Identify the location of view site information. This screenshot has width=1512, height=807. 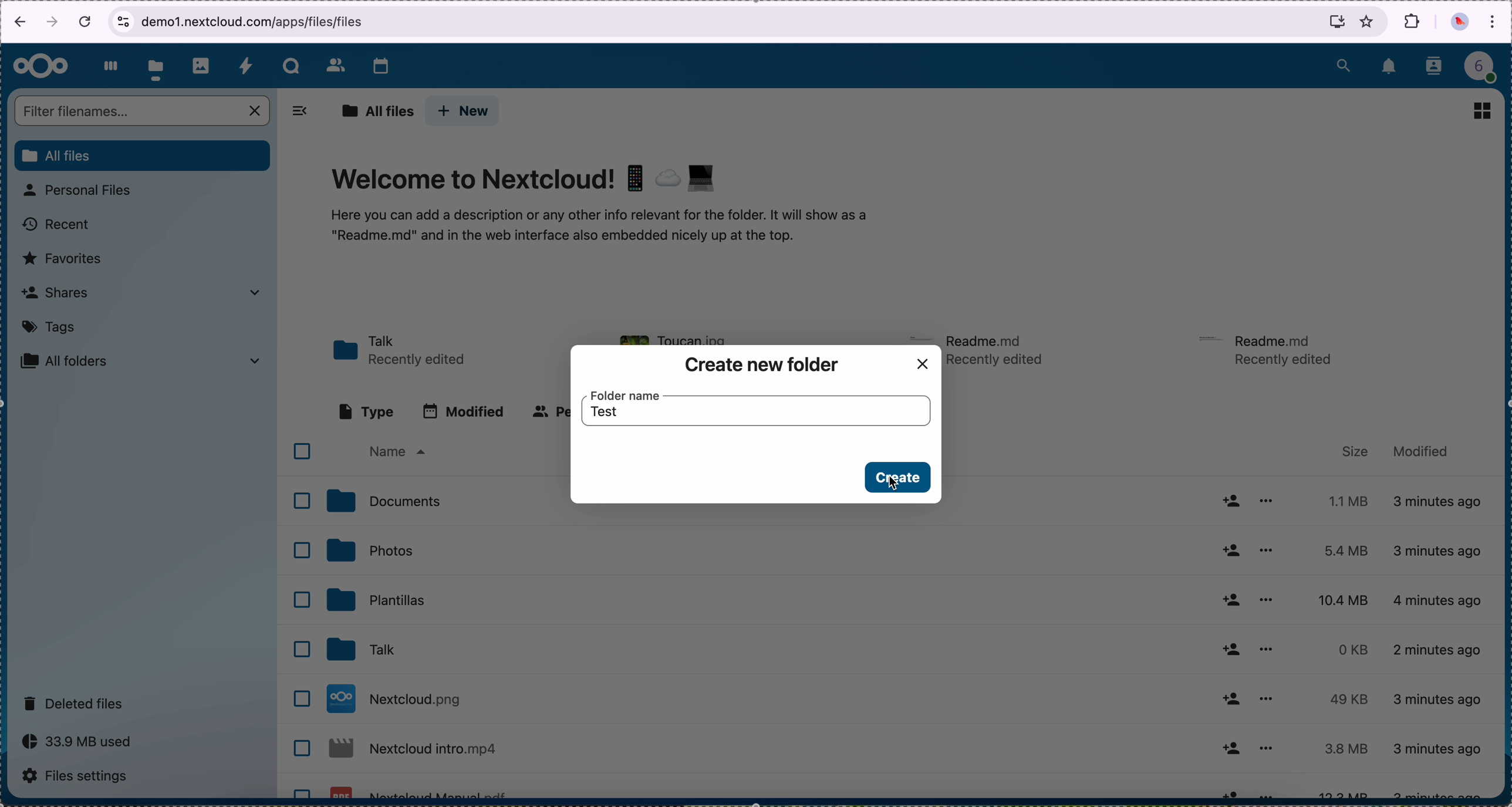
(123, 22).